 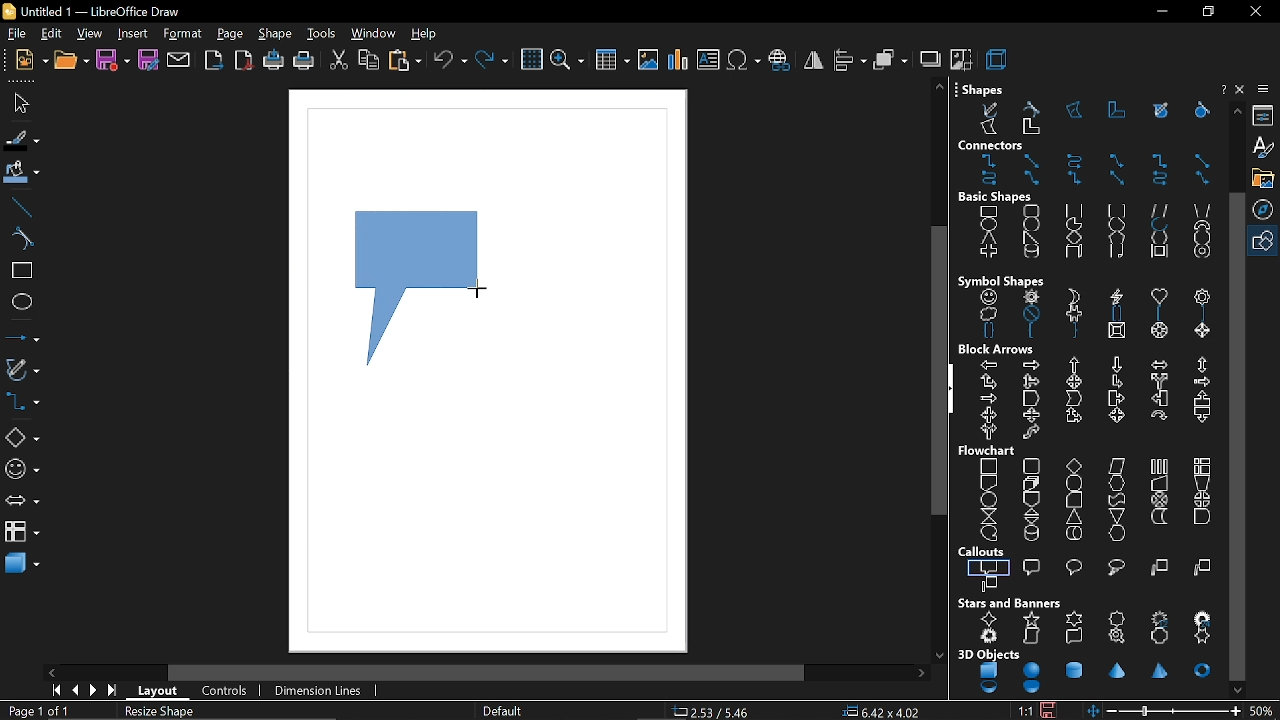 I want to click on punched tape, so click(x=1115, y=499).